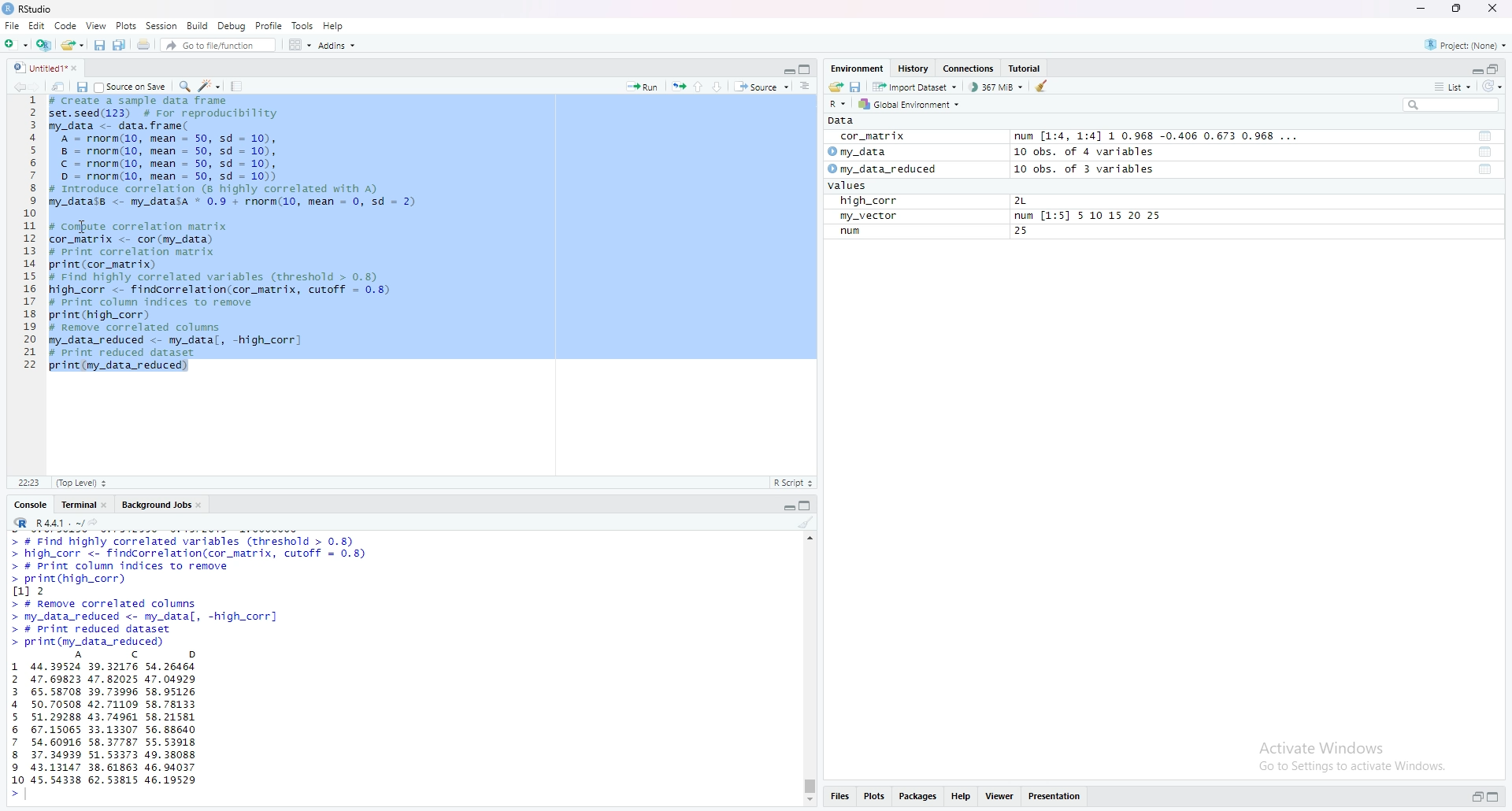 This screenshot has height=811, width=1512. What do you see at coordinates (838, 104) in the screenshot?
I see `R` at bounding box center [838, 104].